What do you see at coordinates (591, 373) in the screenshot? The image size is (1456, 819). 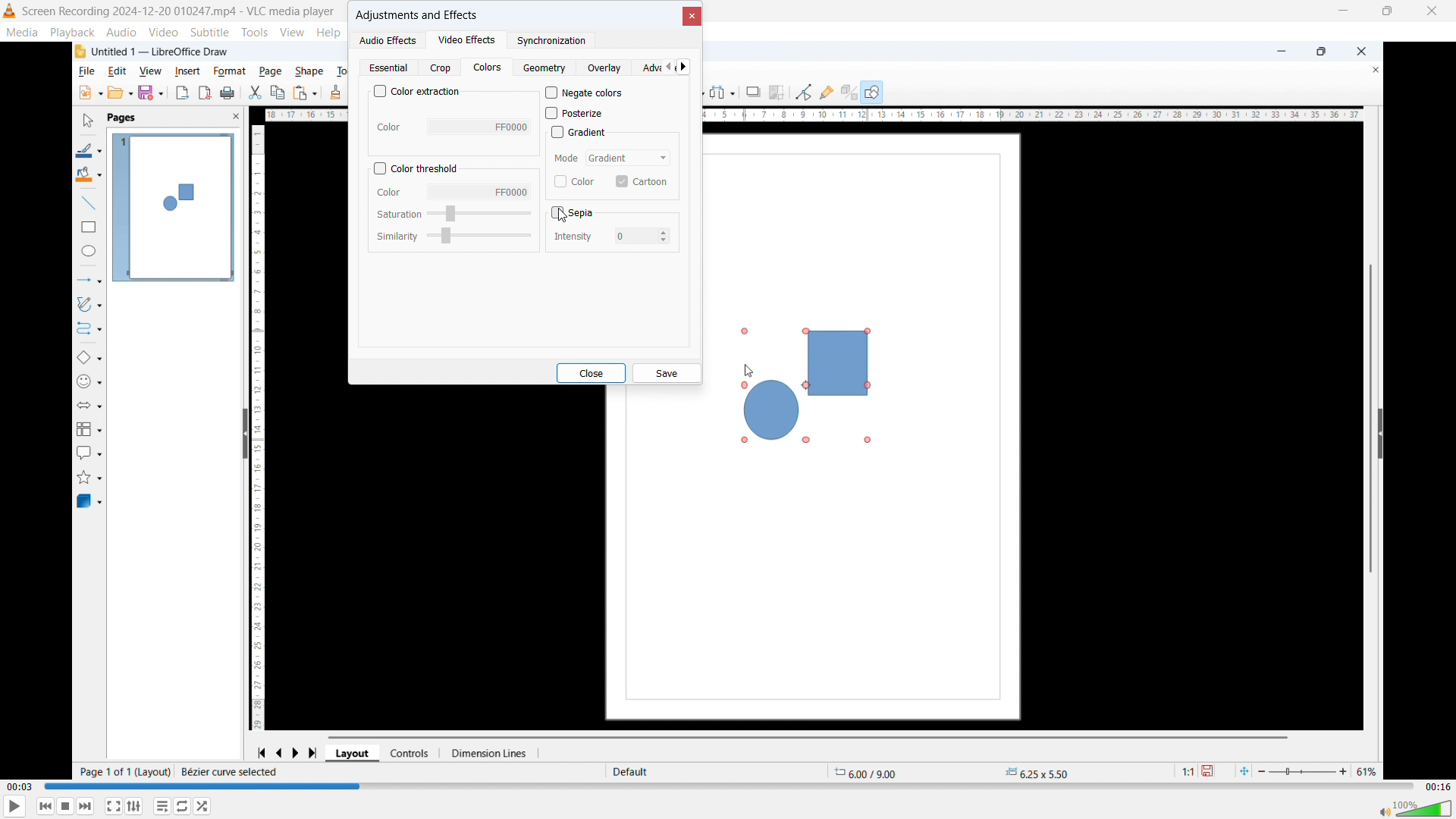 I see `close ` at bounding box center [591, 373].